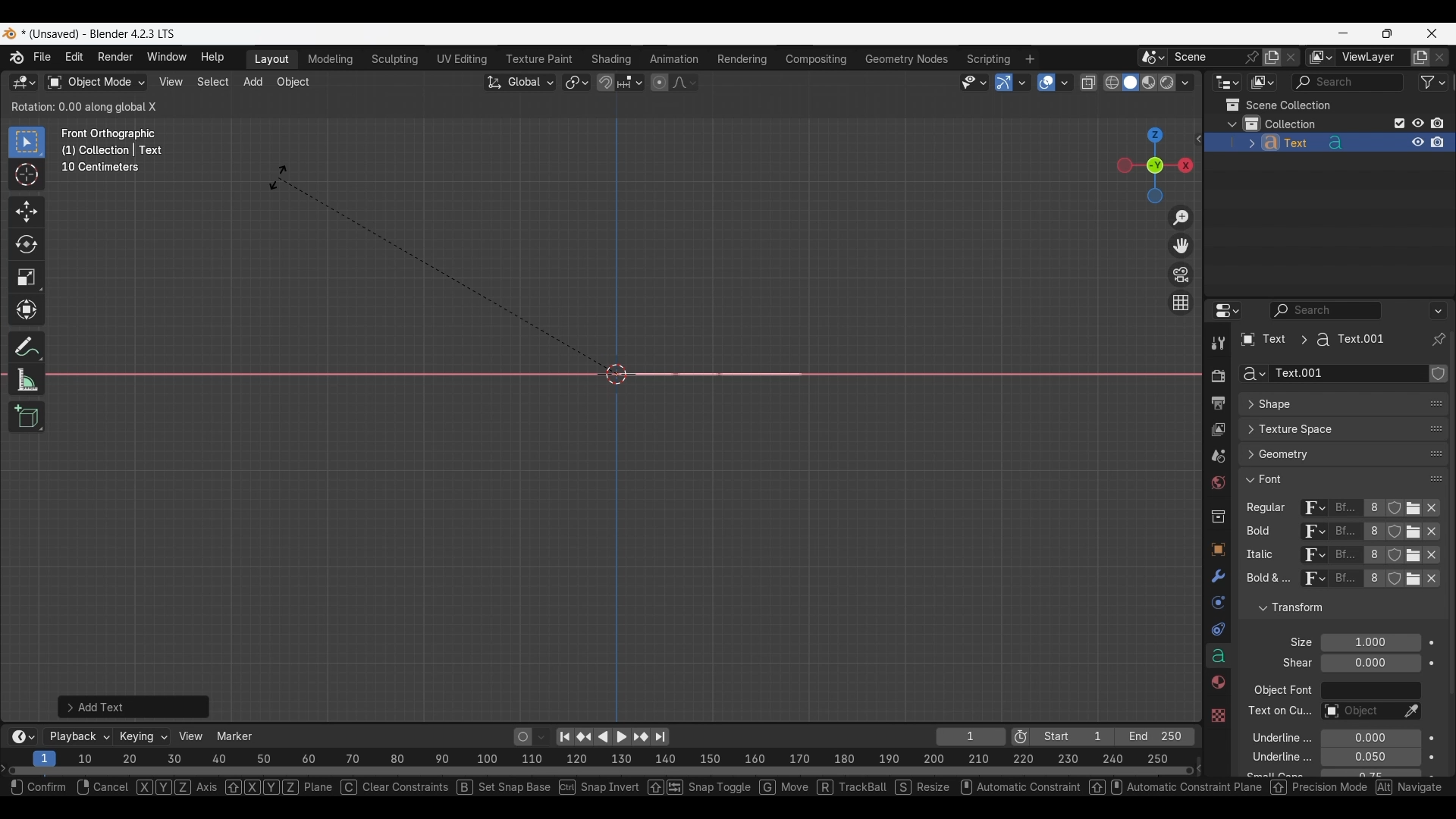 The width and height of the screenshot is (1456, 819). I want to click on , so click(1217, 714).